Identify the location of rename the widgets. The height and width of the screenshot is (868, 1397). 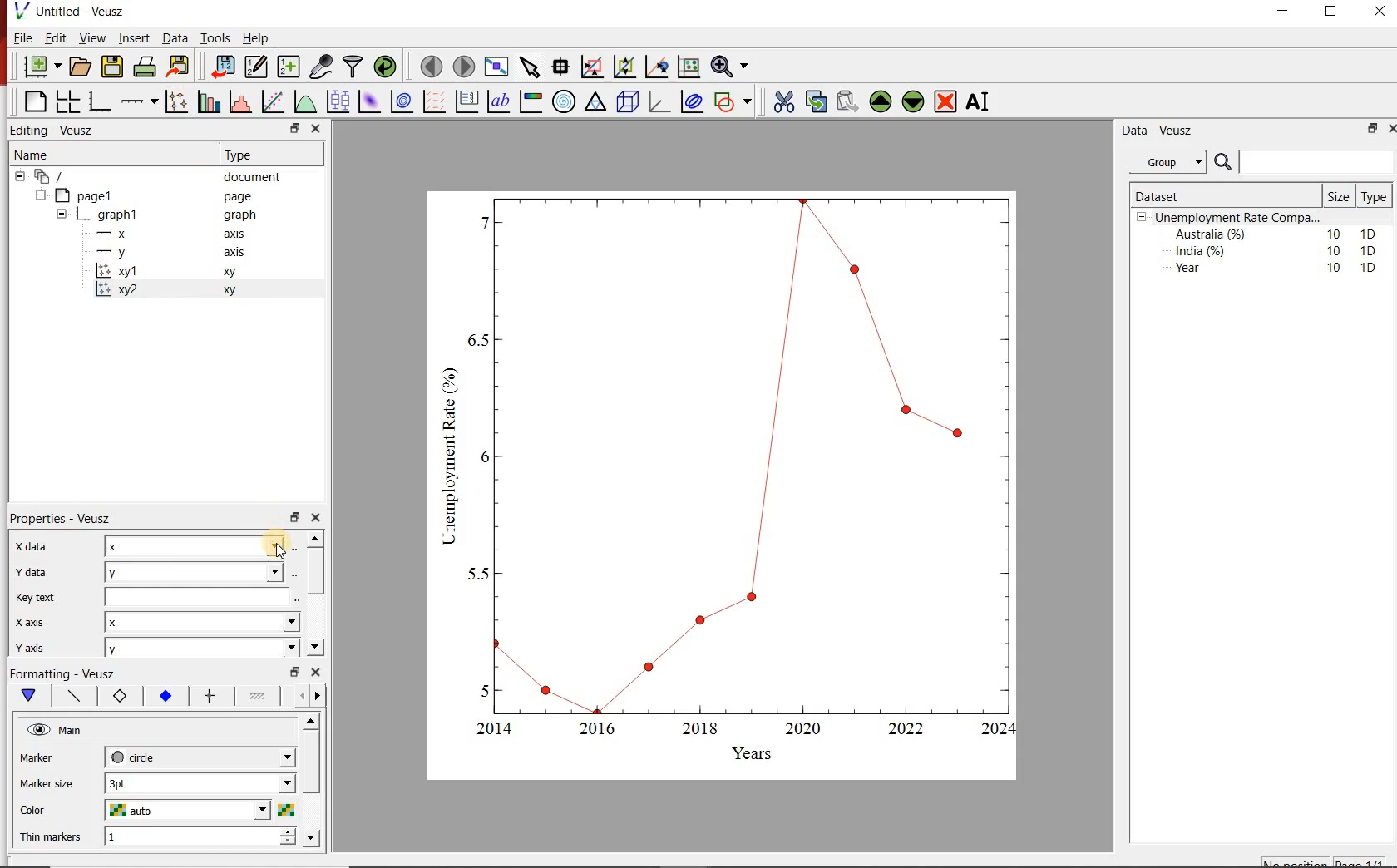
(981, 101).